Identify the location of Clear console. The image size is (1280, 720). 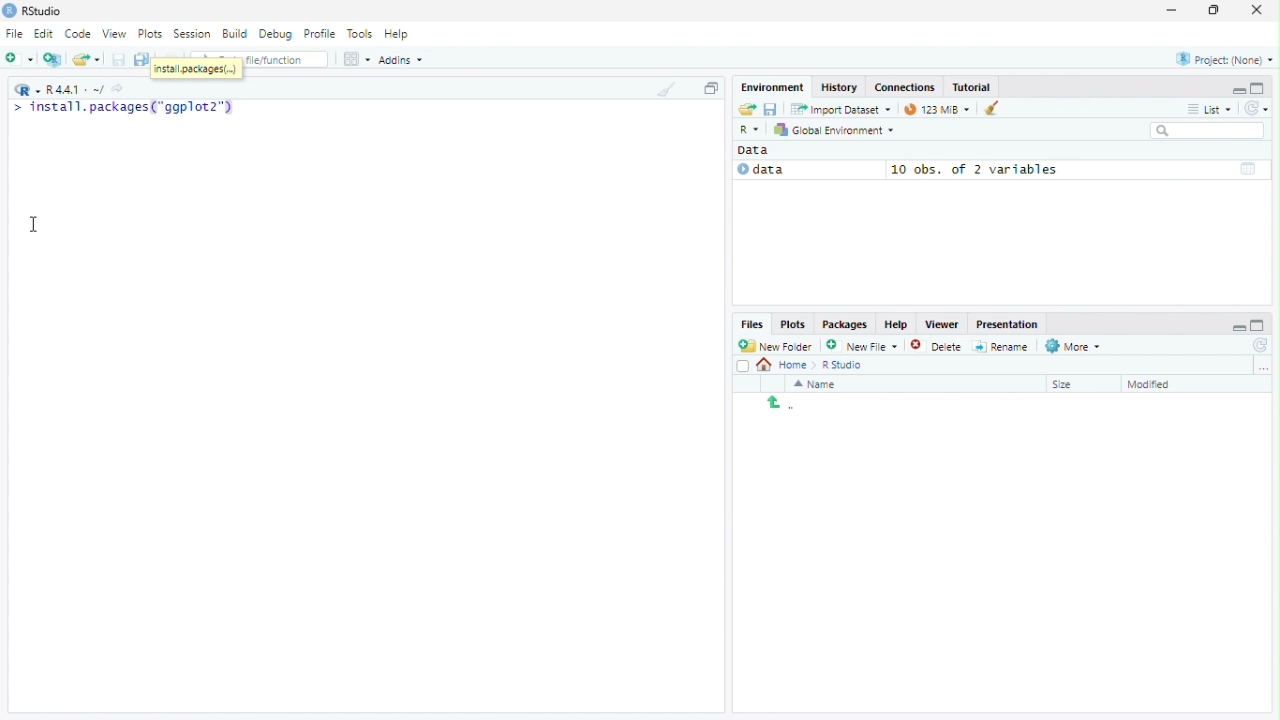
(665, 89).